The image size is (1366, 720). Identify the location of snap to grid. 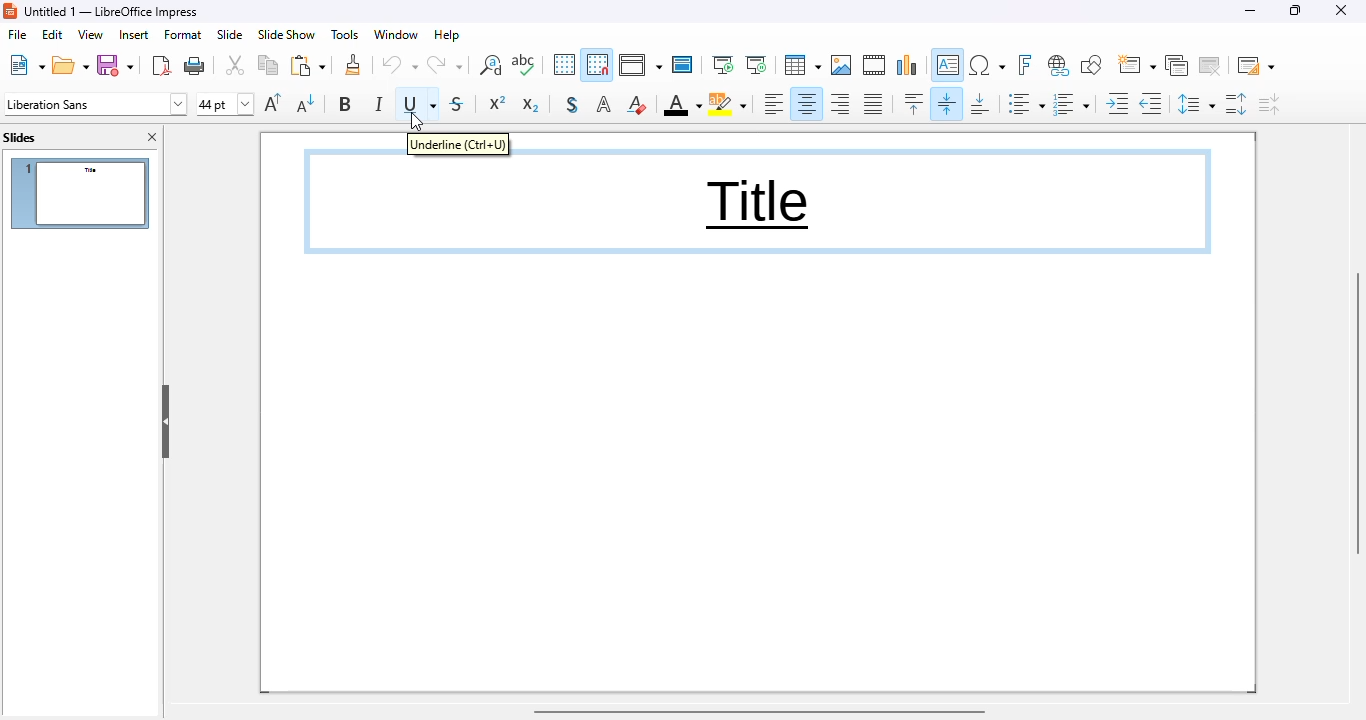
(598, 64).